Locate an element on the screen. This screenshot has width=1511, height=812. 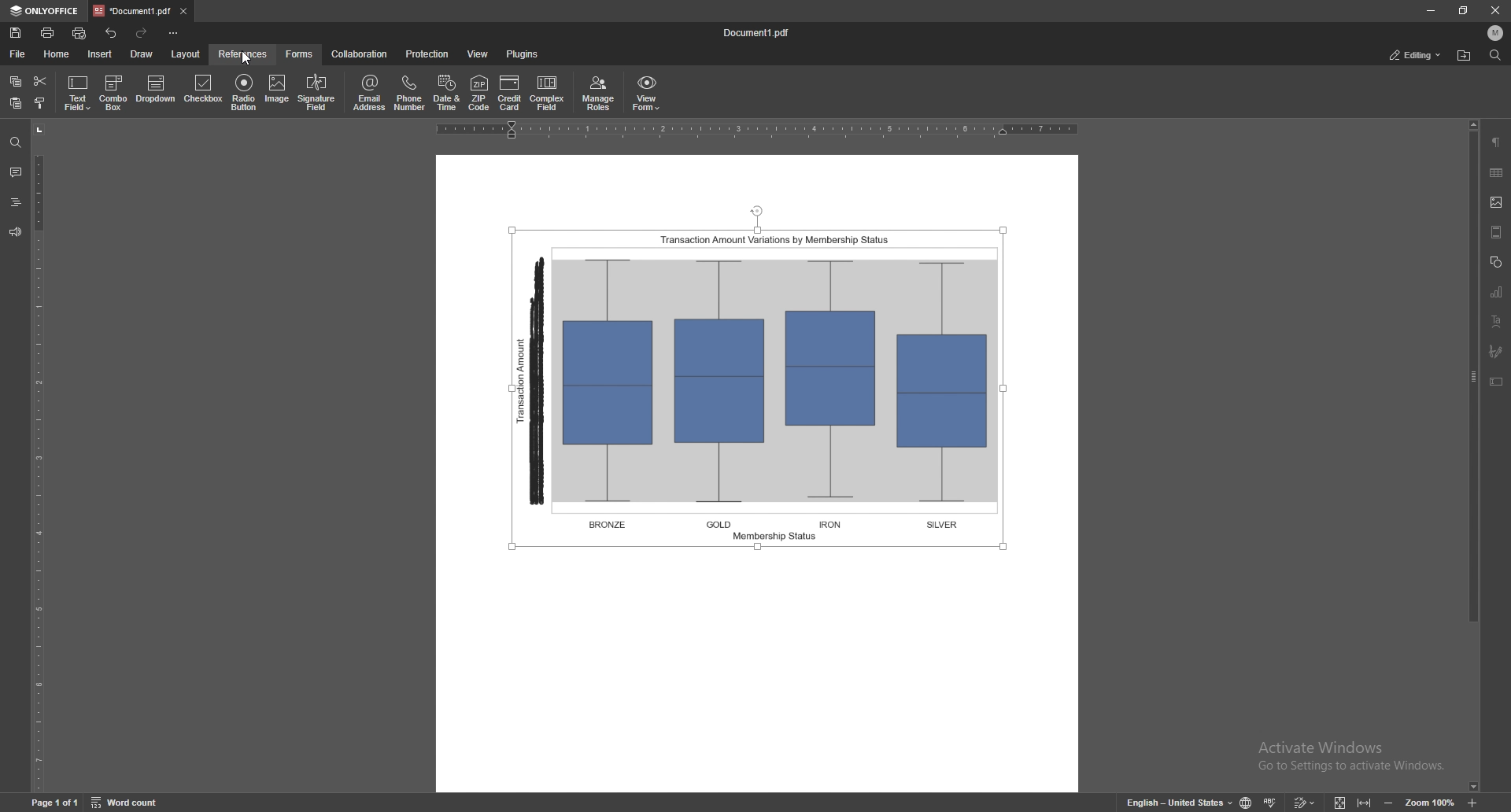
print is located at coordinates (47, 32).